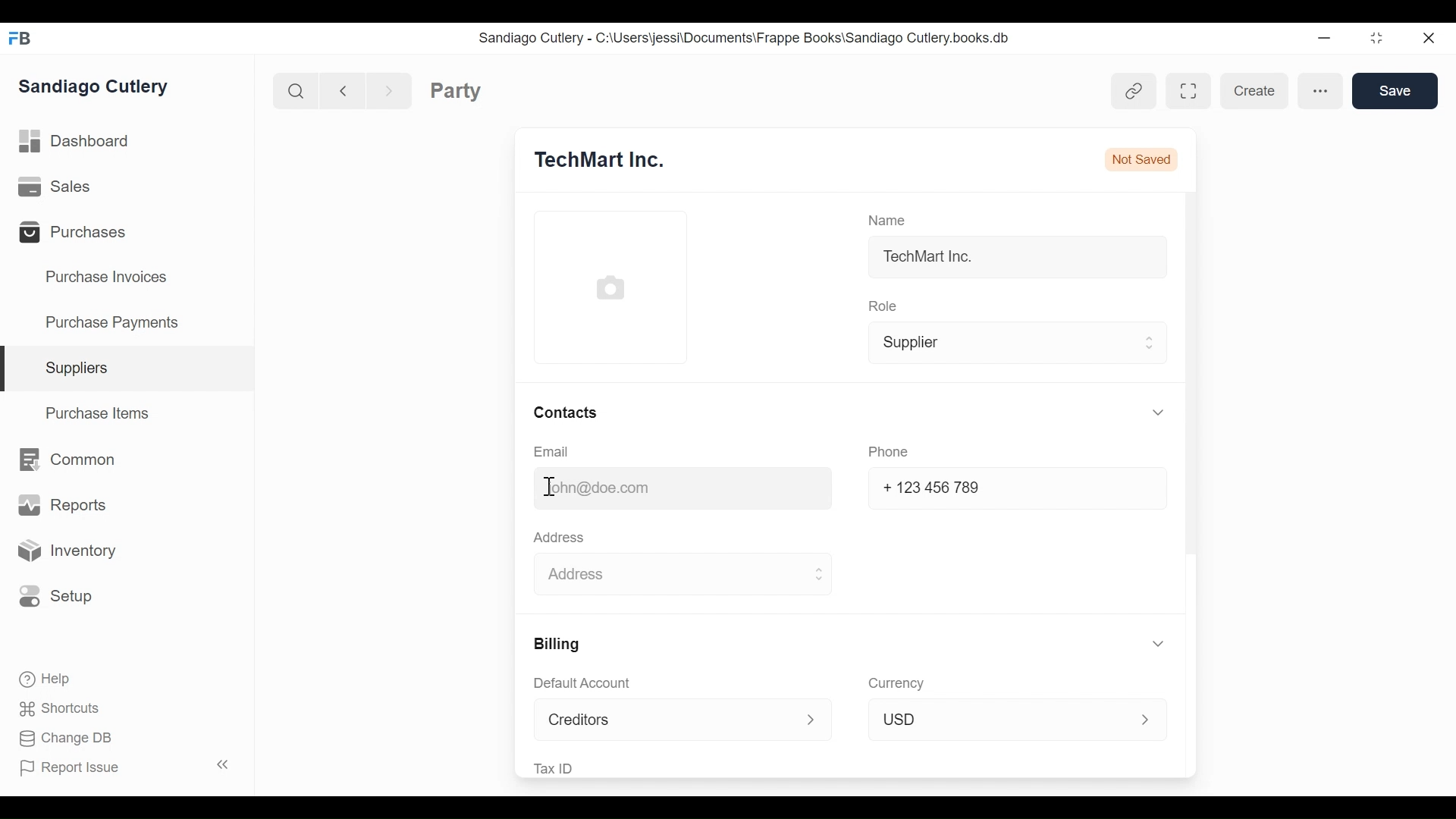 Image resolution: width=1456 pixels, height=819 pixels. I want to click on TechMart Inc., so click(932, 260).